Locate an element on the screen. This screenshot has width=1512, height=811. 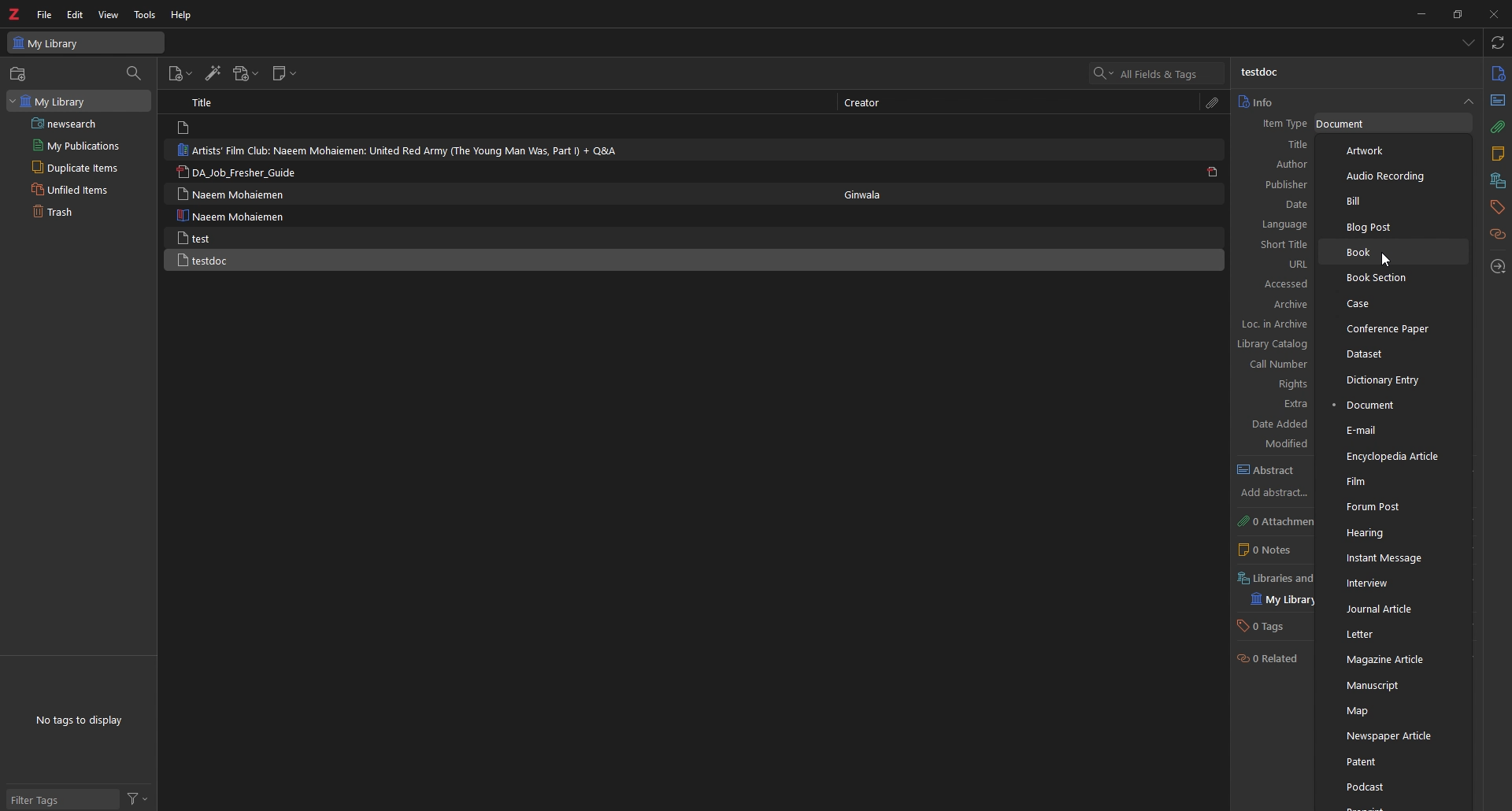
Short Title is located at coordinates (1278, 243).